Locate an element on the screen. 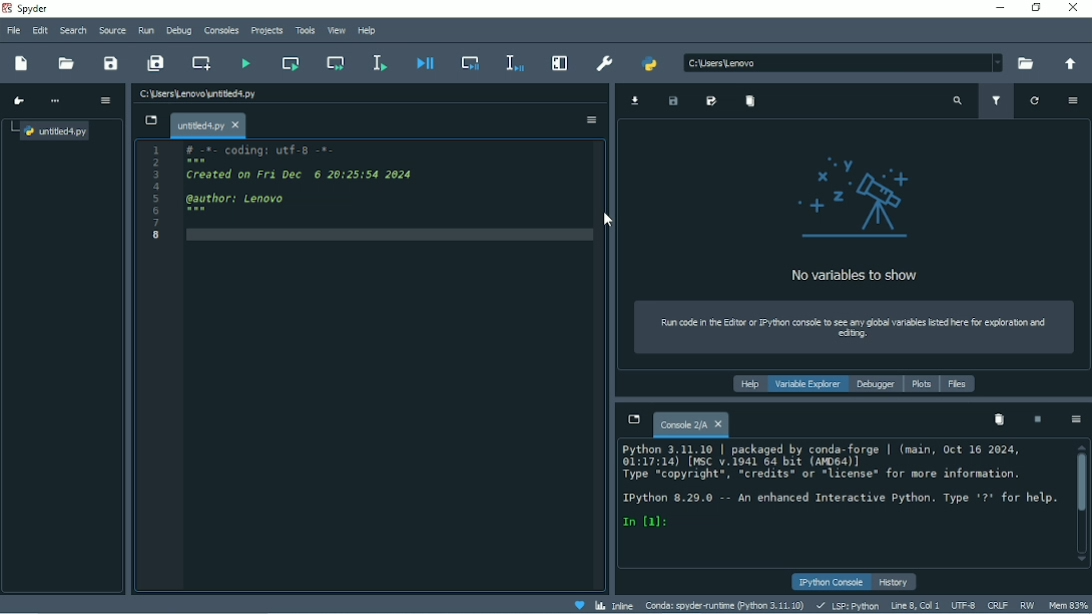  Vertical scrollbar is located at coordinates (1082, 486).